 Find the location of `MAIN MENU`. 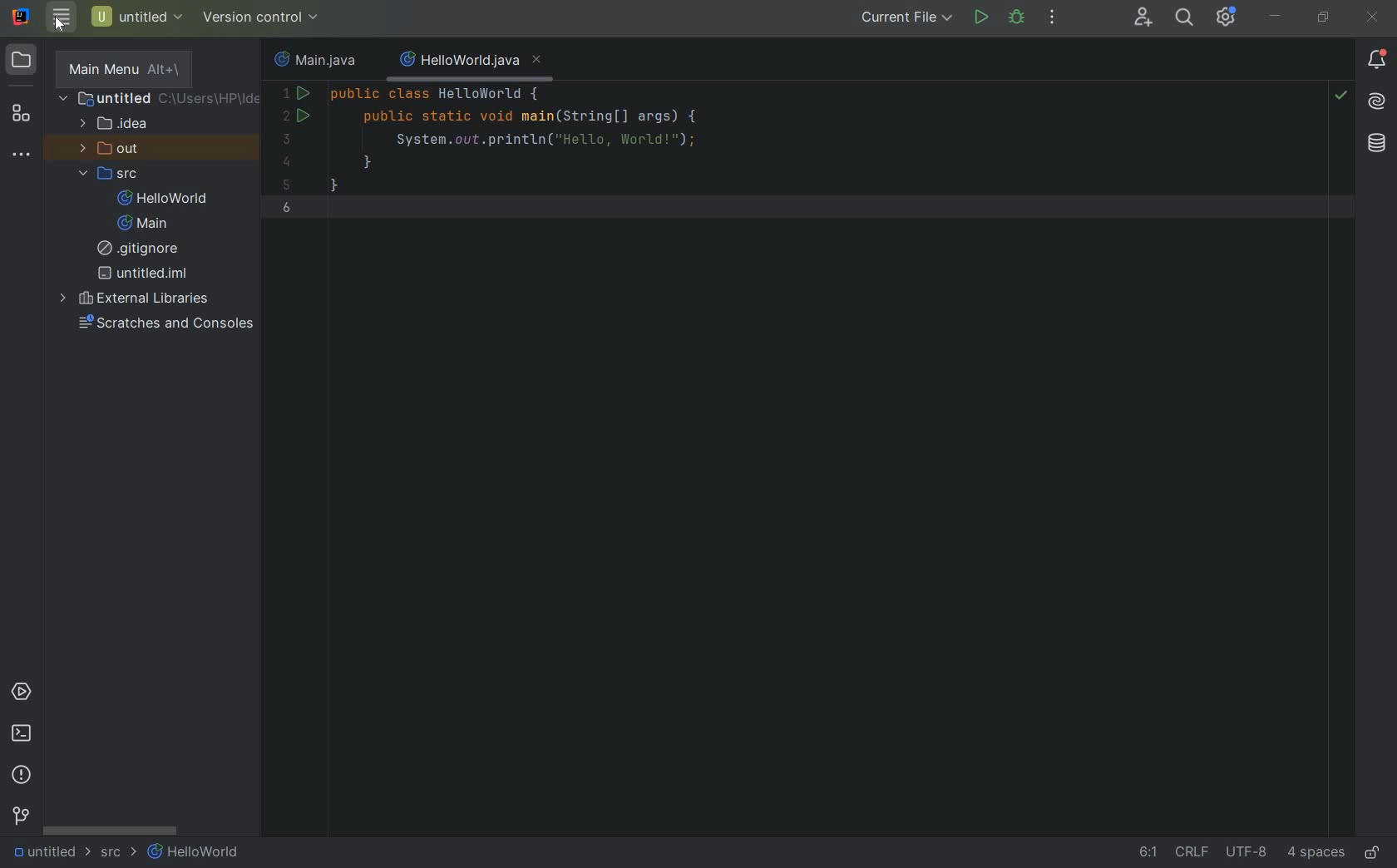

MAIN MENU is located at coordinates (120, 67).